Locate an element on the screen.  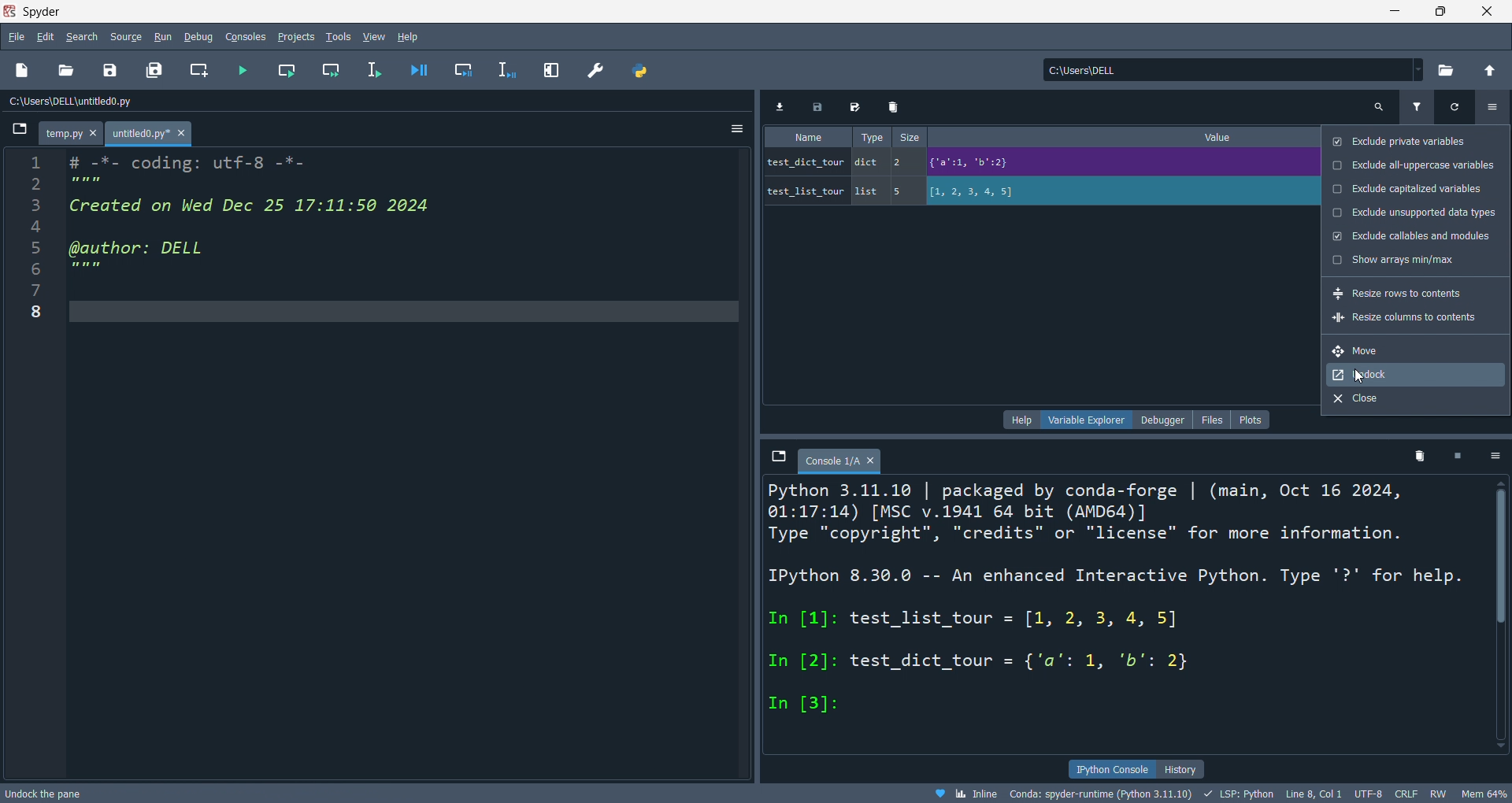
new file is located at coordinates (27, 70).